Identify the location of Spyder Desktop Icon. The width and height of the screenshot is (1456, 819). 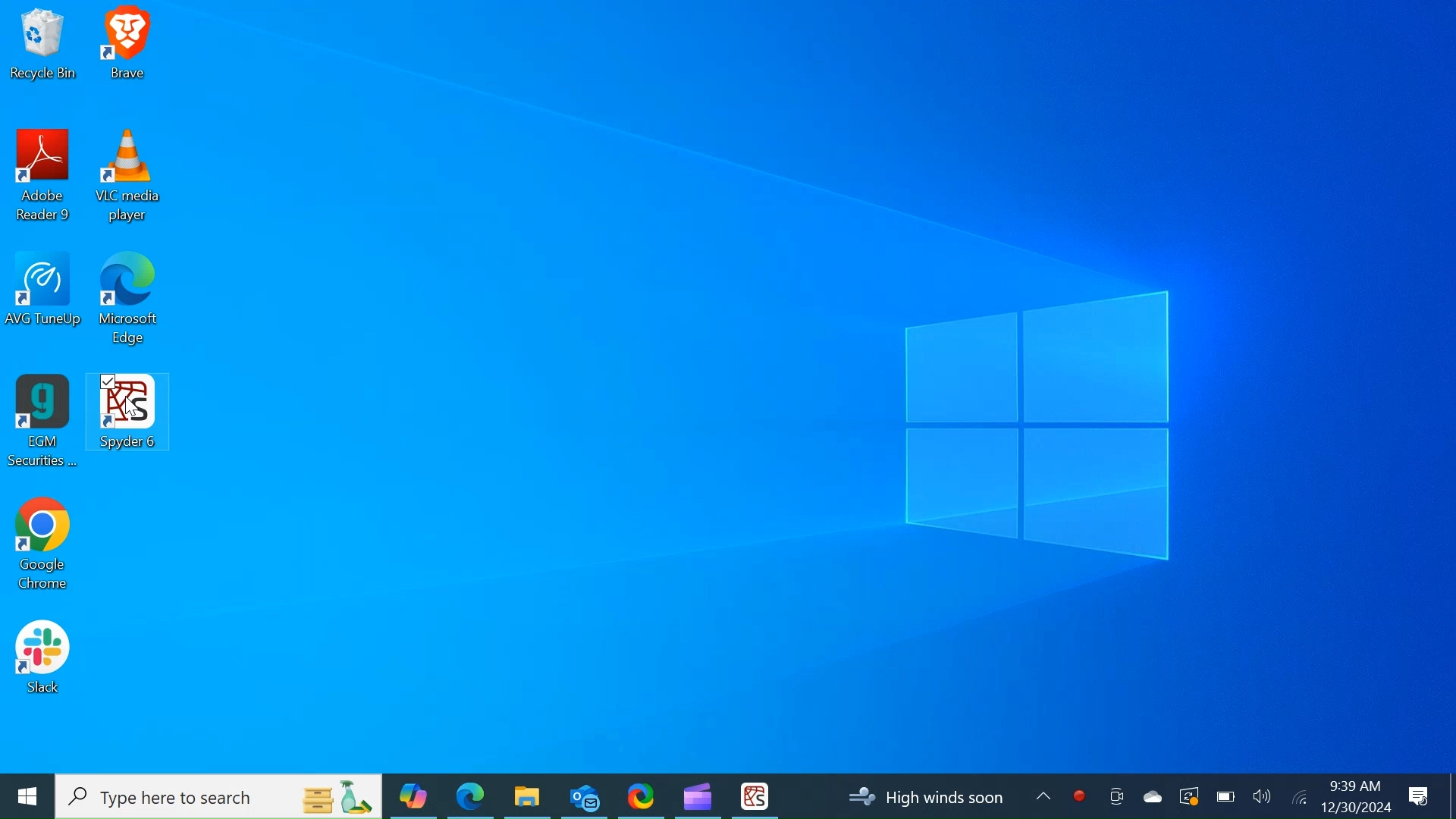
(755, 796).